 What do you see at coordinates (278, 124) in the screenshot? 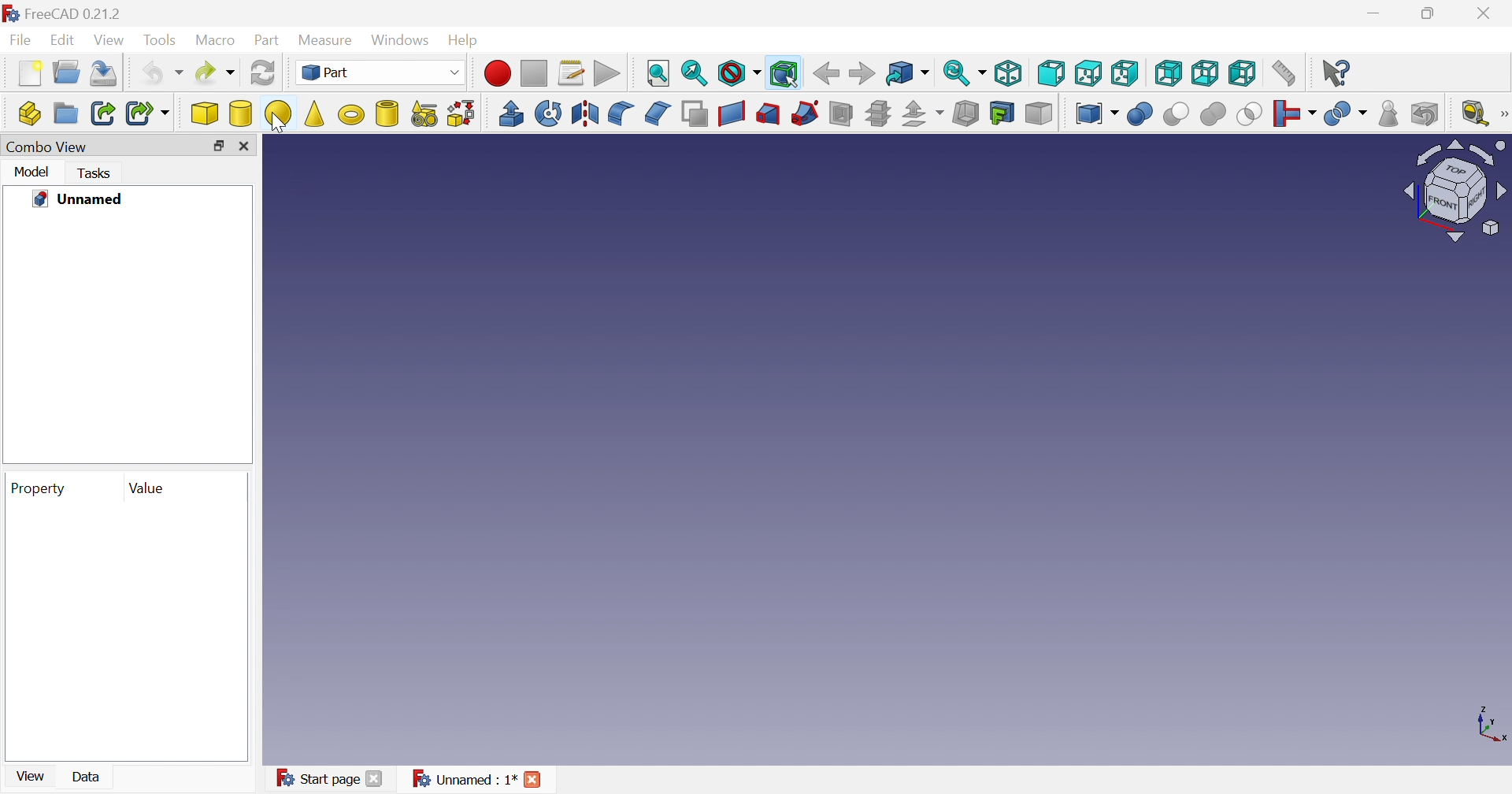
I see `cursor` at bounding box center [278, 124].